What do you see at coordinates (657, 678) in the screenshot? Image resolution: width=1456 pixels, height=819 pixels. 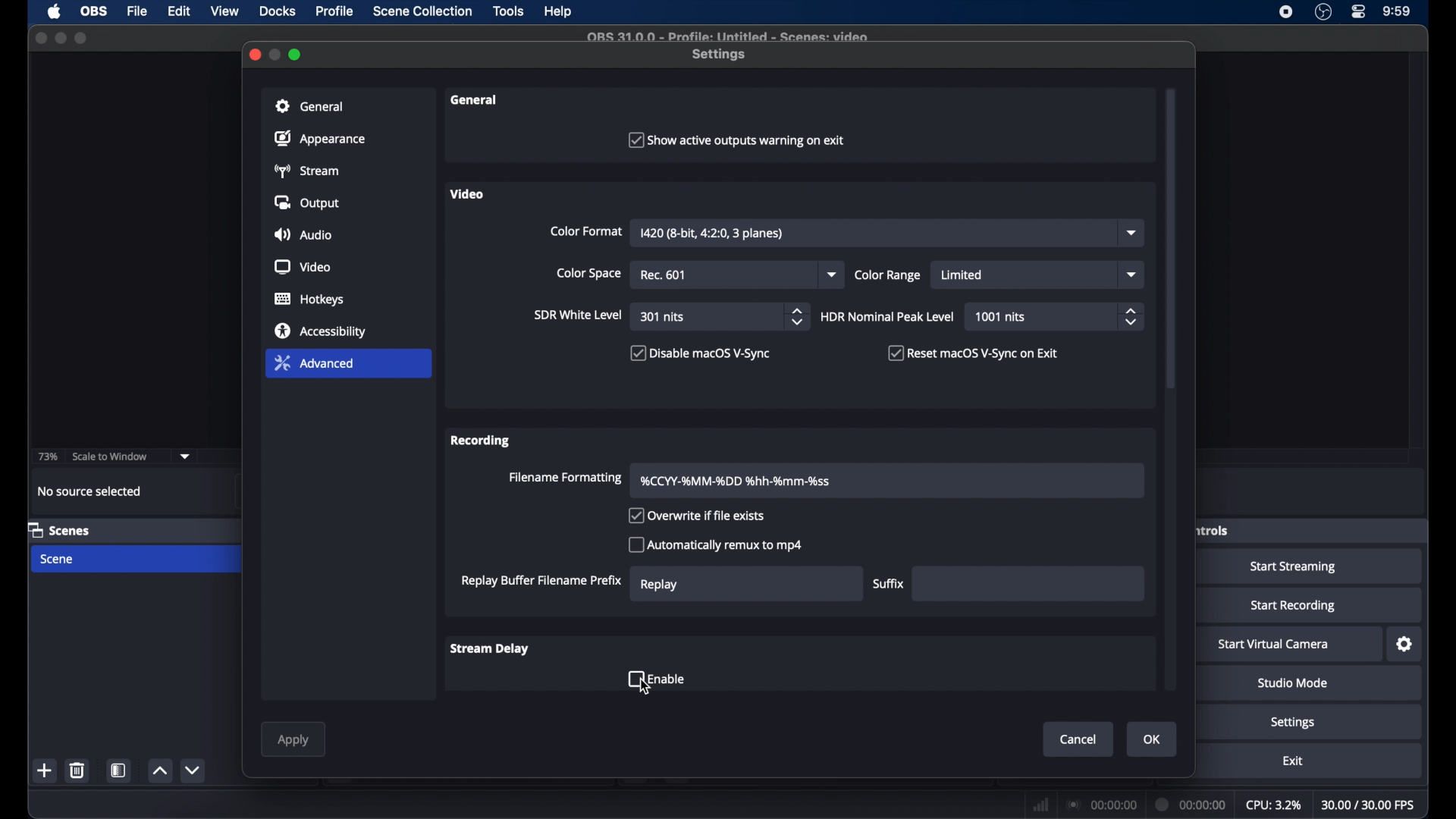 I see `checkbox` at bounding box center [657, 678].